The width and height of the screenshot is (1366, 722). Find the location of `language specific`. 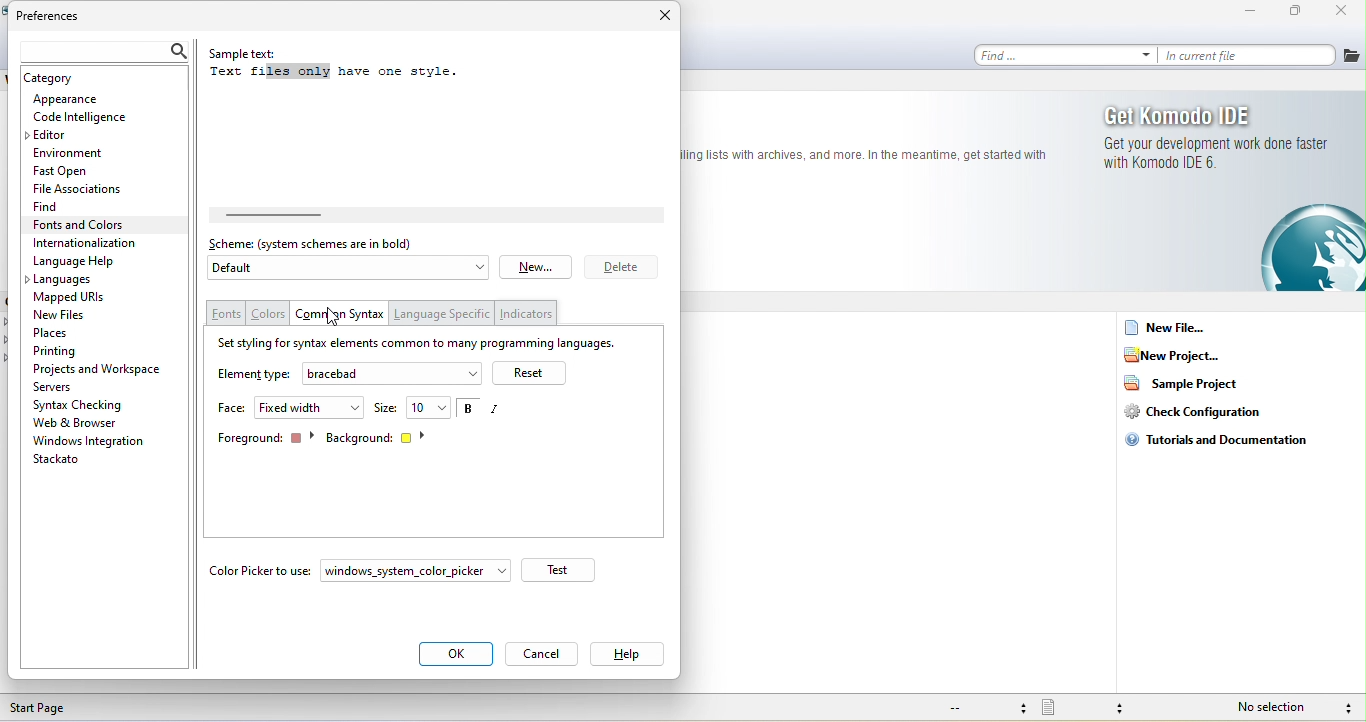

language specific is located at coordinates (446, 312).